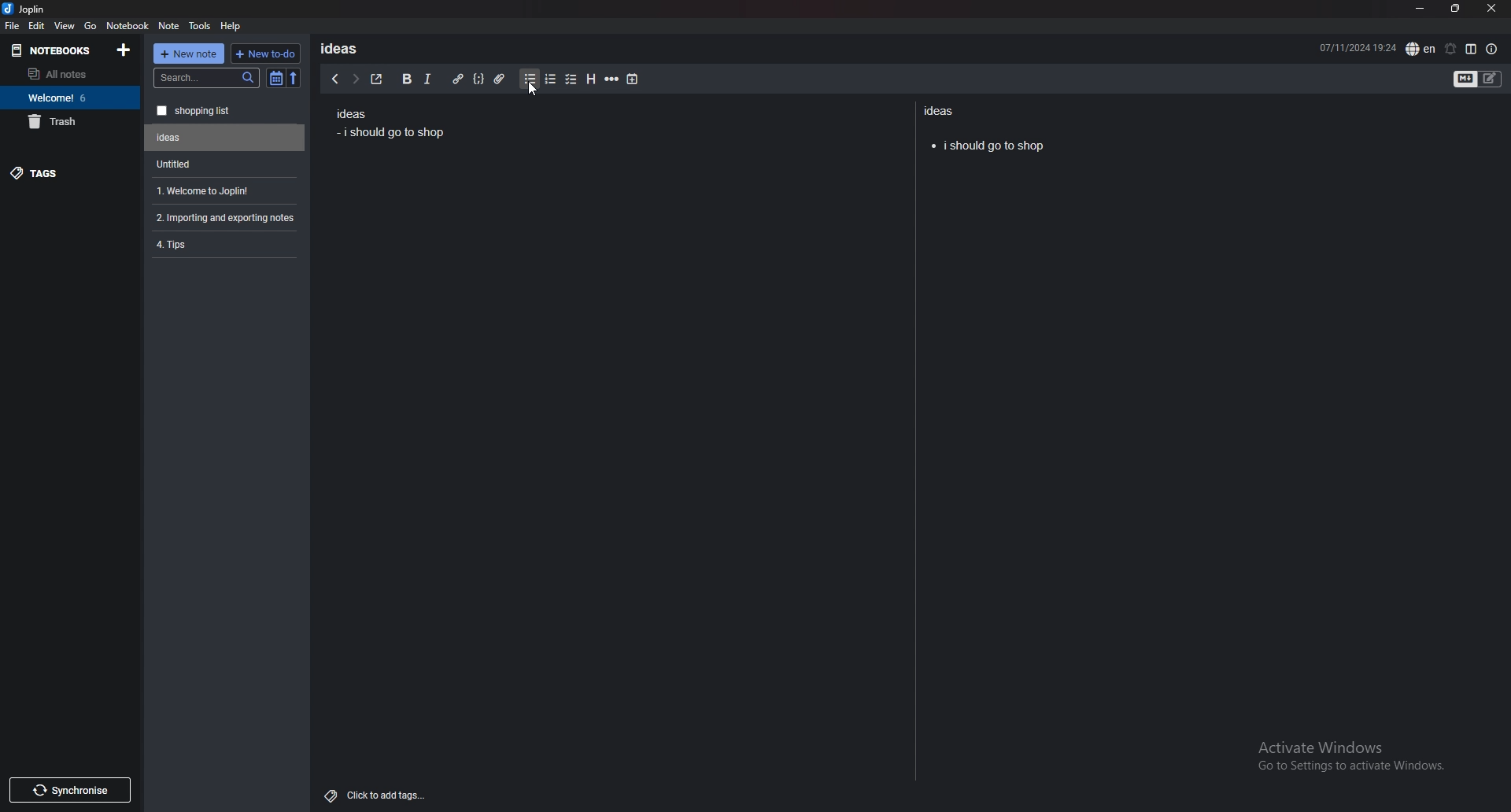  I want to click on go, so click(91, 24).